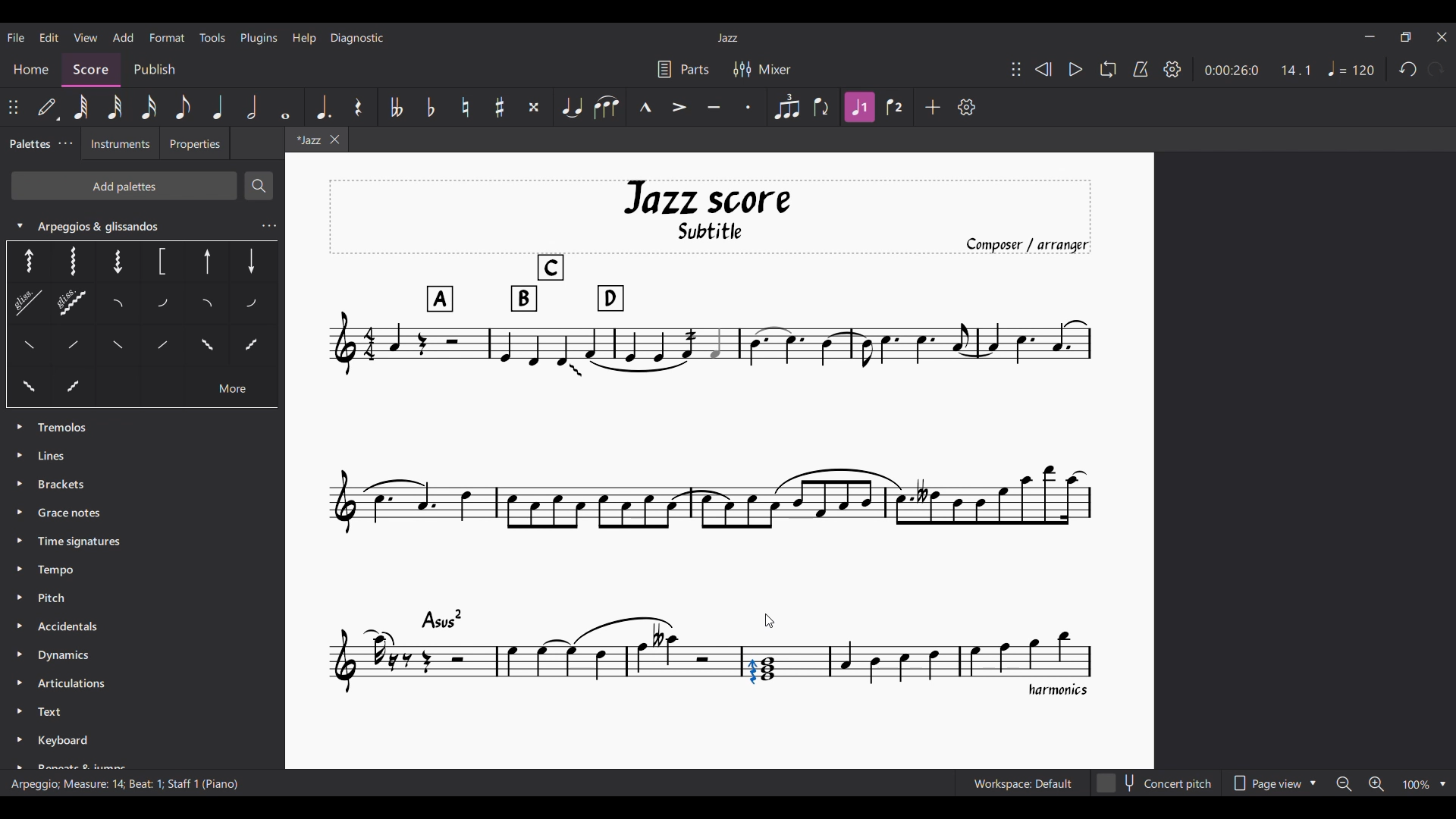 The image size is (1456, 819). Describe the element at coordinates (500, 107) in the screenshot. I see `Toggle sharp` at that location.